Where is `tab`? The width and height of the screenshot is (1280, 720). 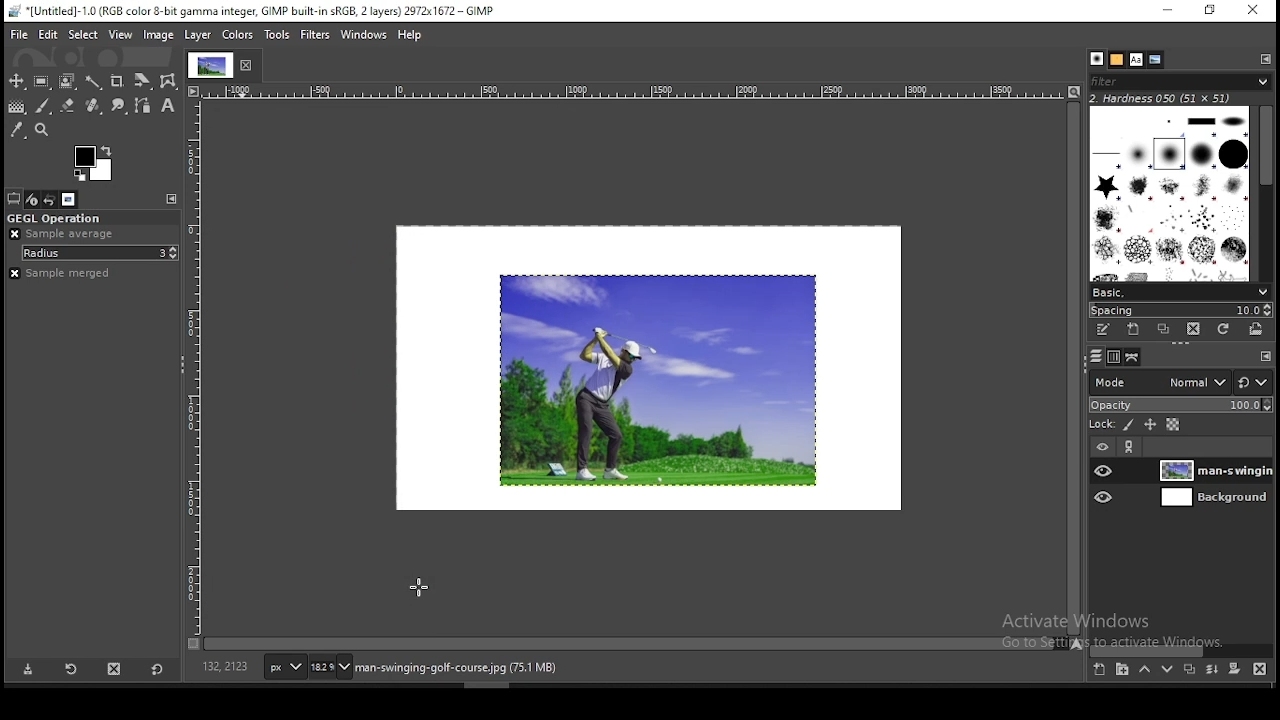
tab is located at coordinates (210, 65).